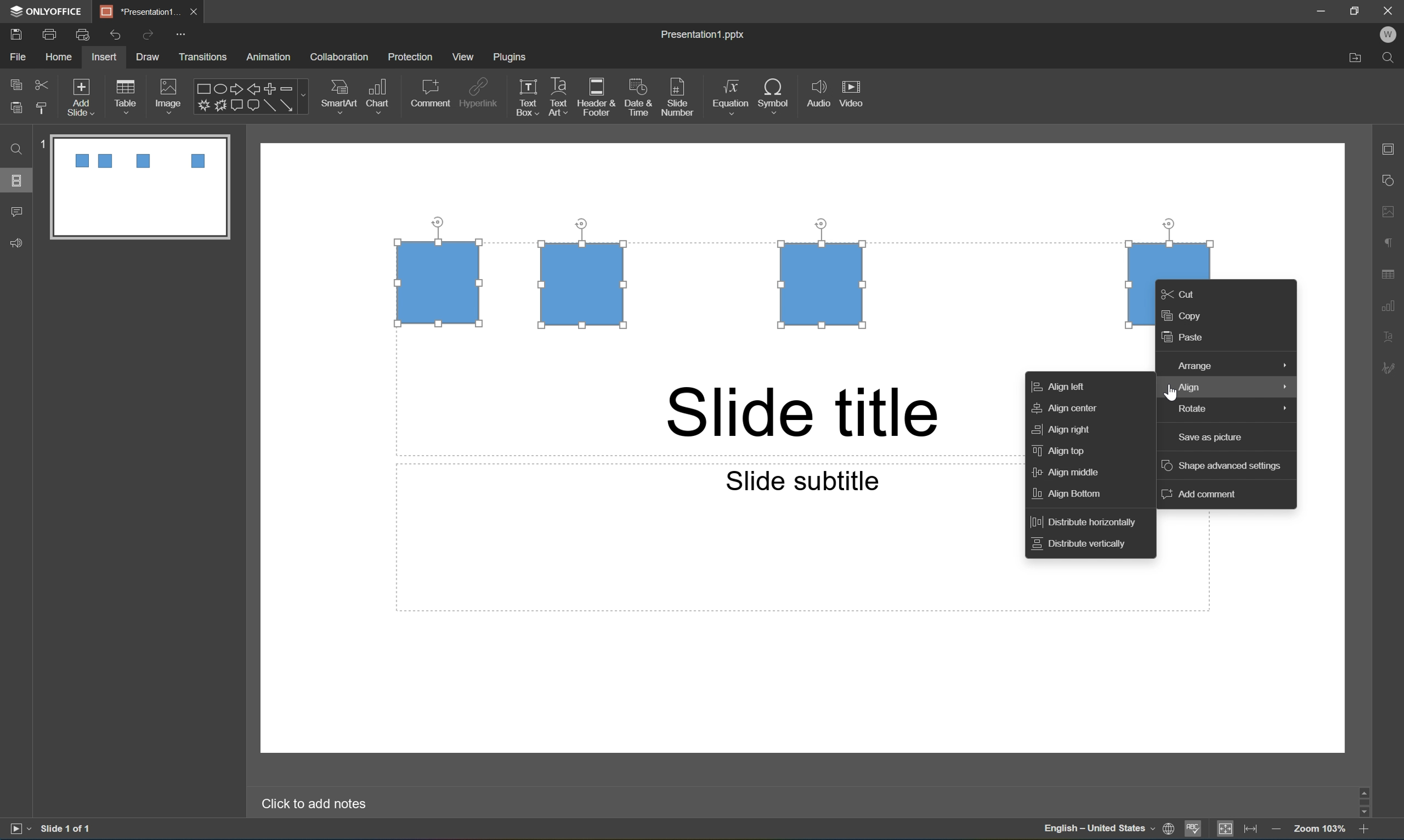 This screenshot has width=1404, height=840. Describe the element at coordinates (1072, 473) in the screenshot. I see `align middle` at that location.